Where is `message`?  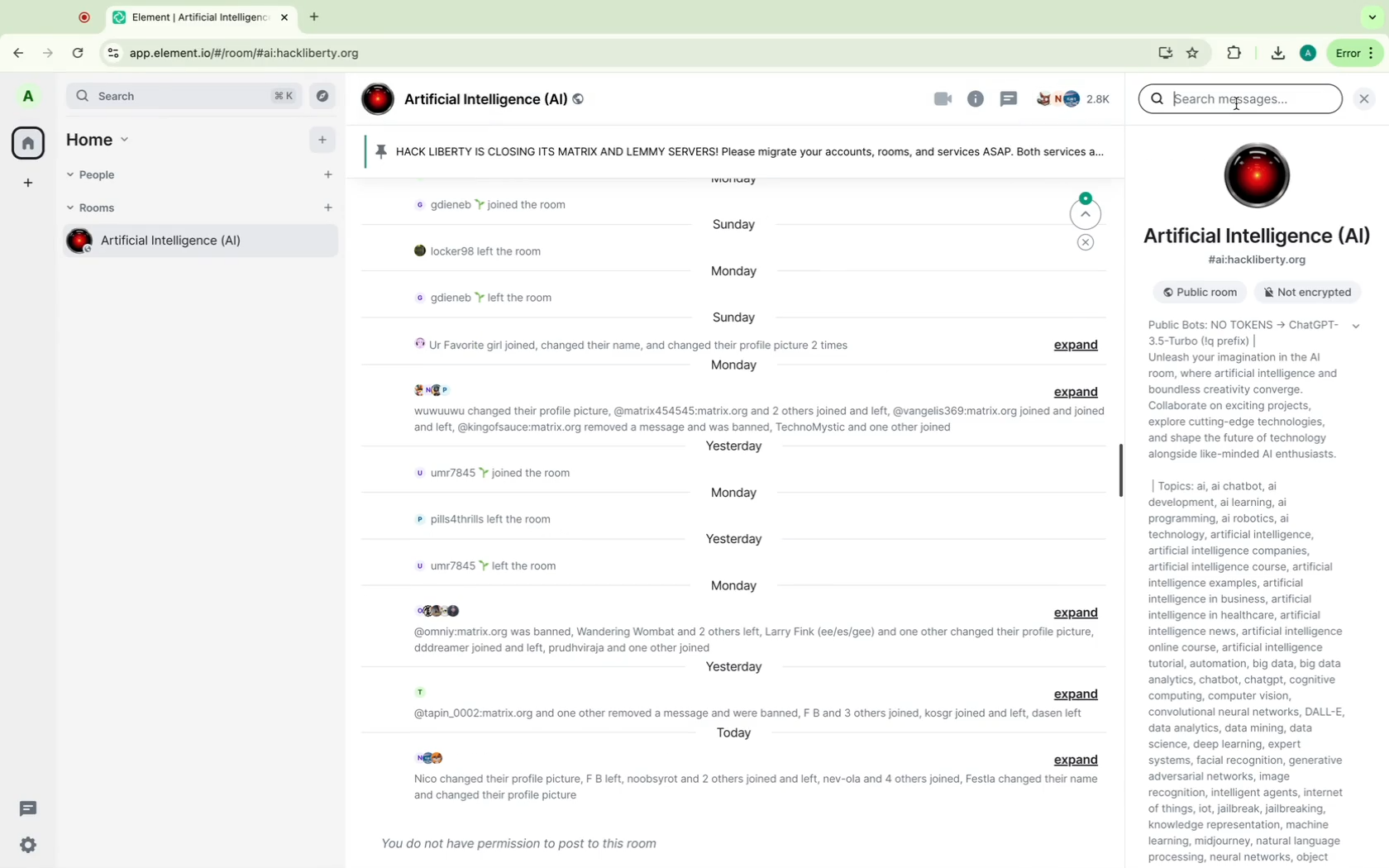
message is located at coordinates (516, 840).